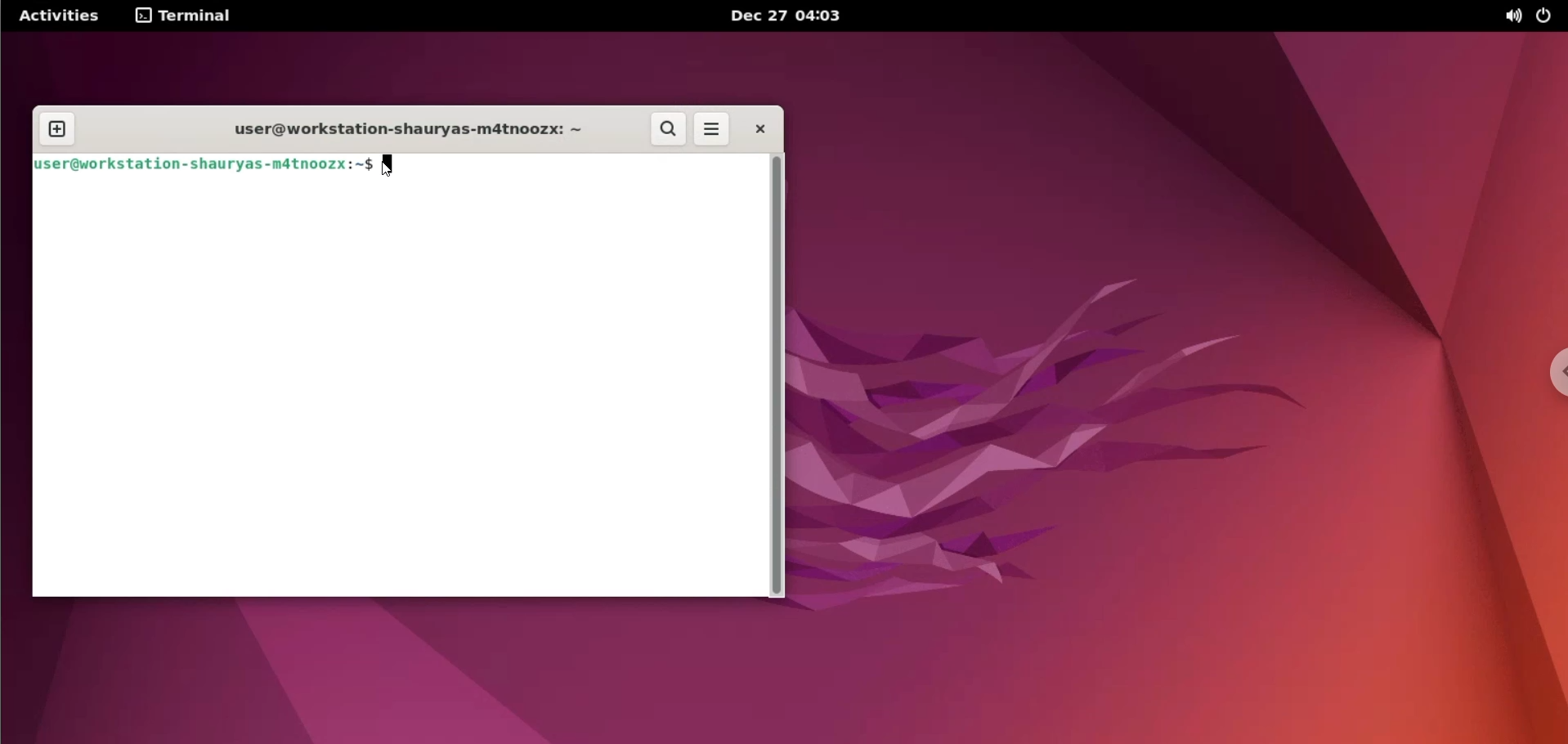  What do you see at coordinates (395, 168) in the screenshot?
I see `cursor` at bounding box center [395, 168].